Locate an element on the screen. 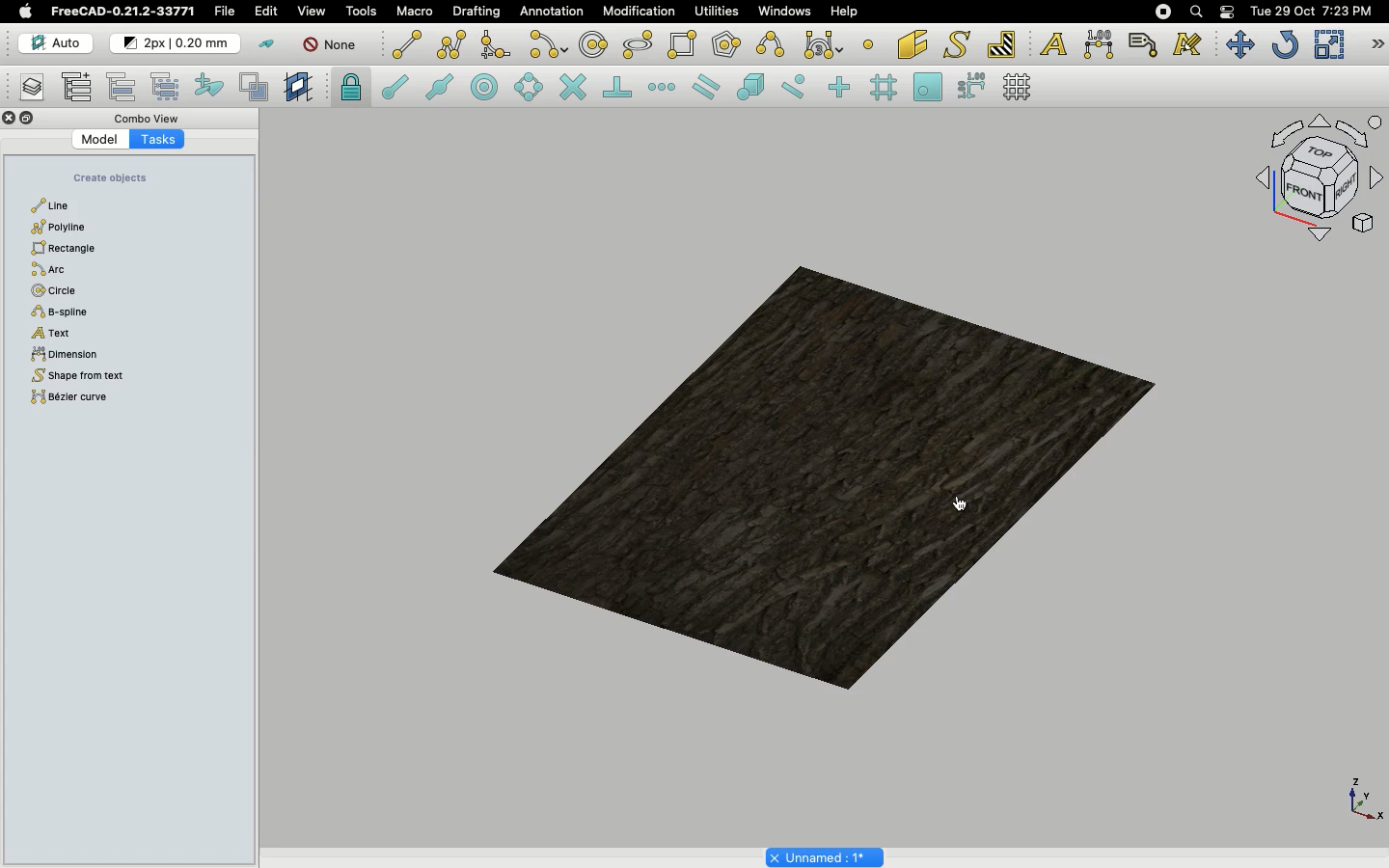 This screenshot has width=1389, height=868. Toggle construction mode is located at coordinates (265, 43).